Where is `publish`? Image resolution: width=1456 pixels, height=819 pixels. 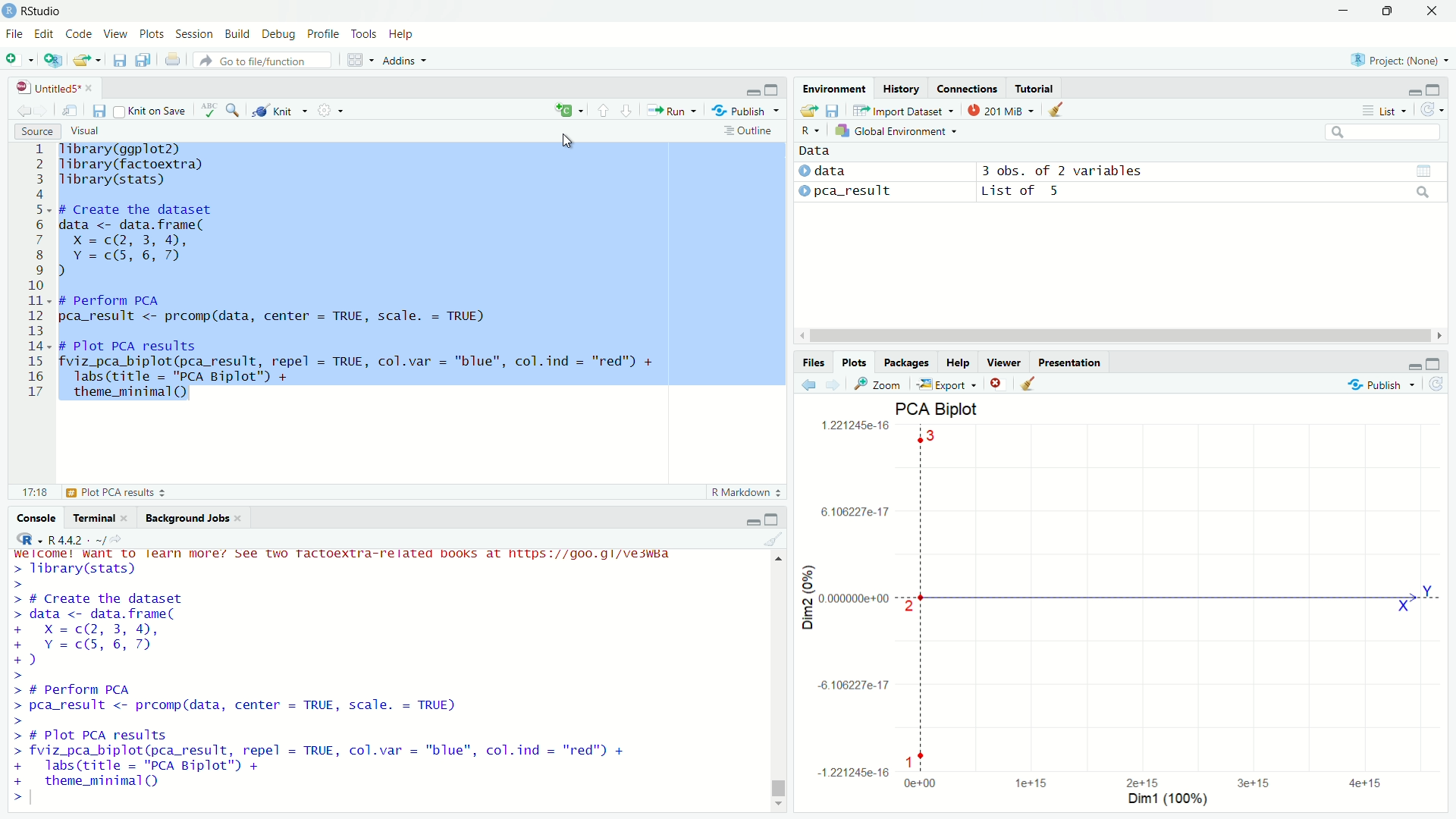 publish is located at coordinates (747, 111).